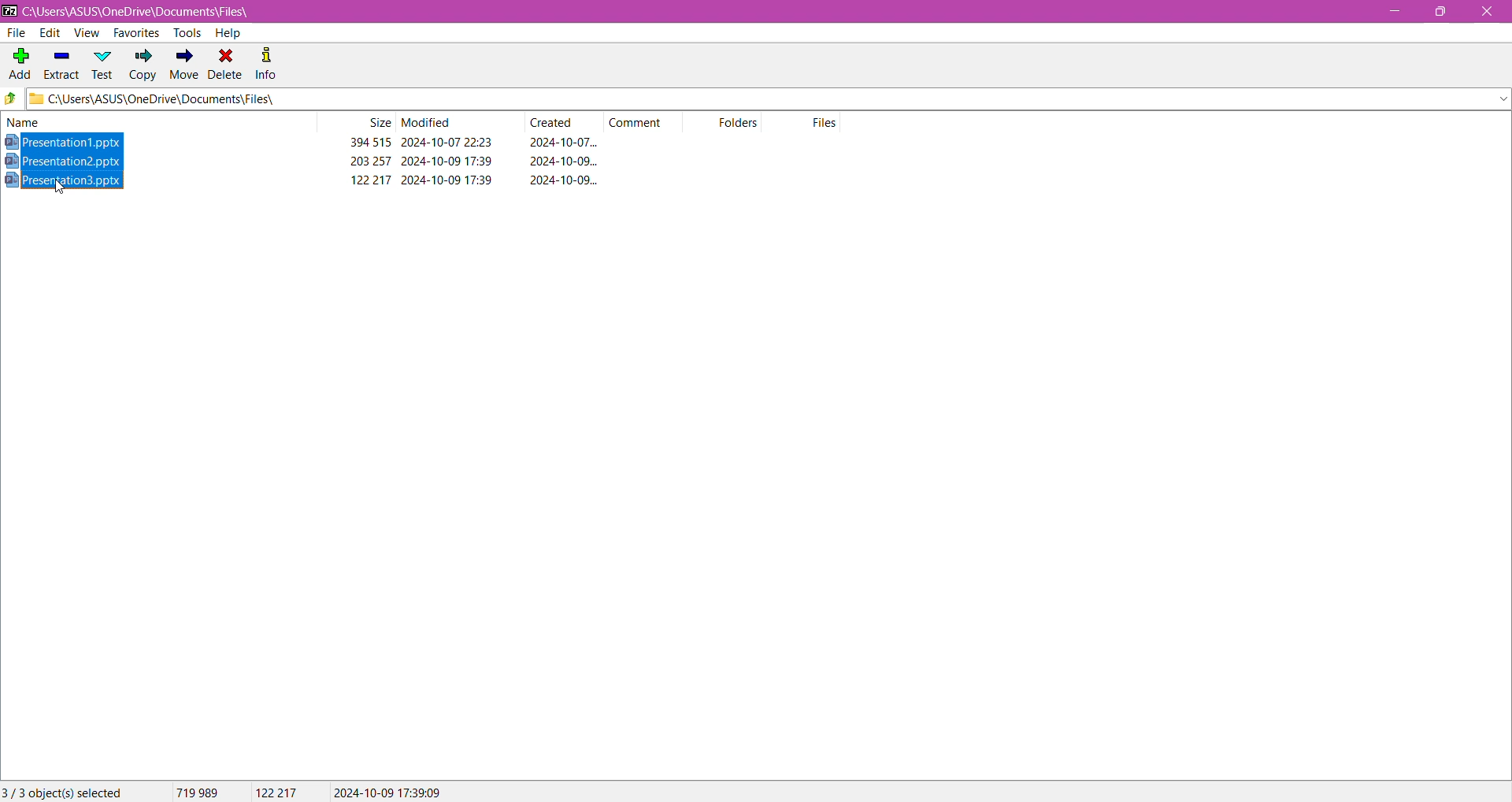 This screenshot has width=1512, height=802. What do you see at coordinates (182, 65) in the screenshot?
I see `Move` at bounding box center [182, 65].